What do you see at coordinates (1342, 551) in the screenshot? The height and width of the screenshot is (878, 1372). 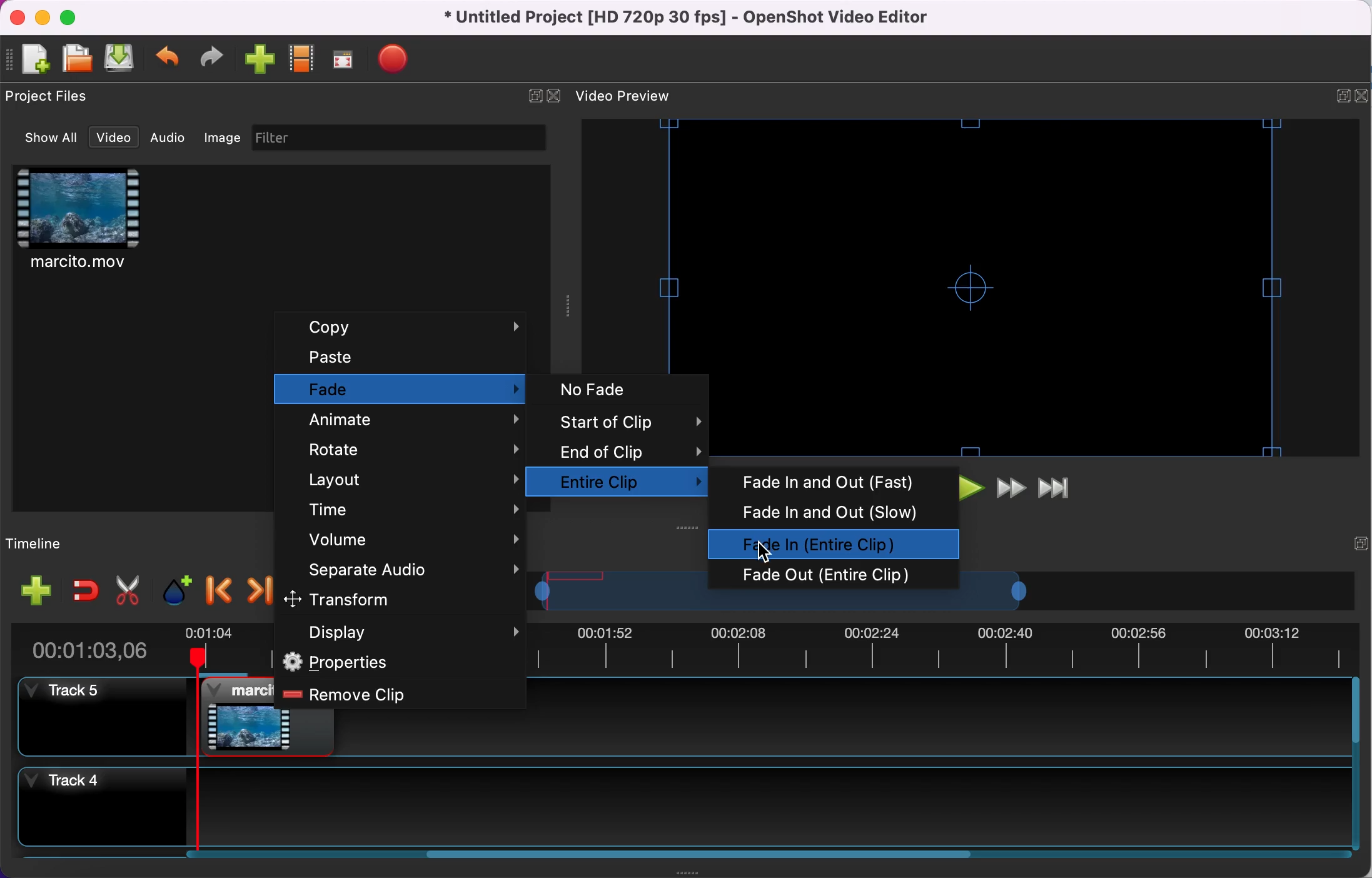 I see `expand/hide` at bounding box center [1342, 551].